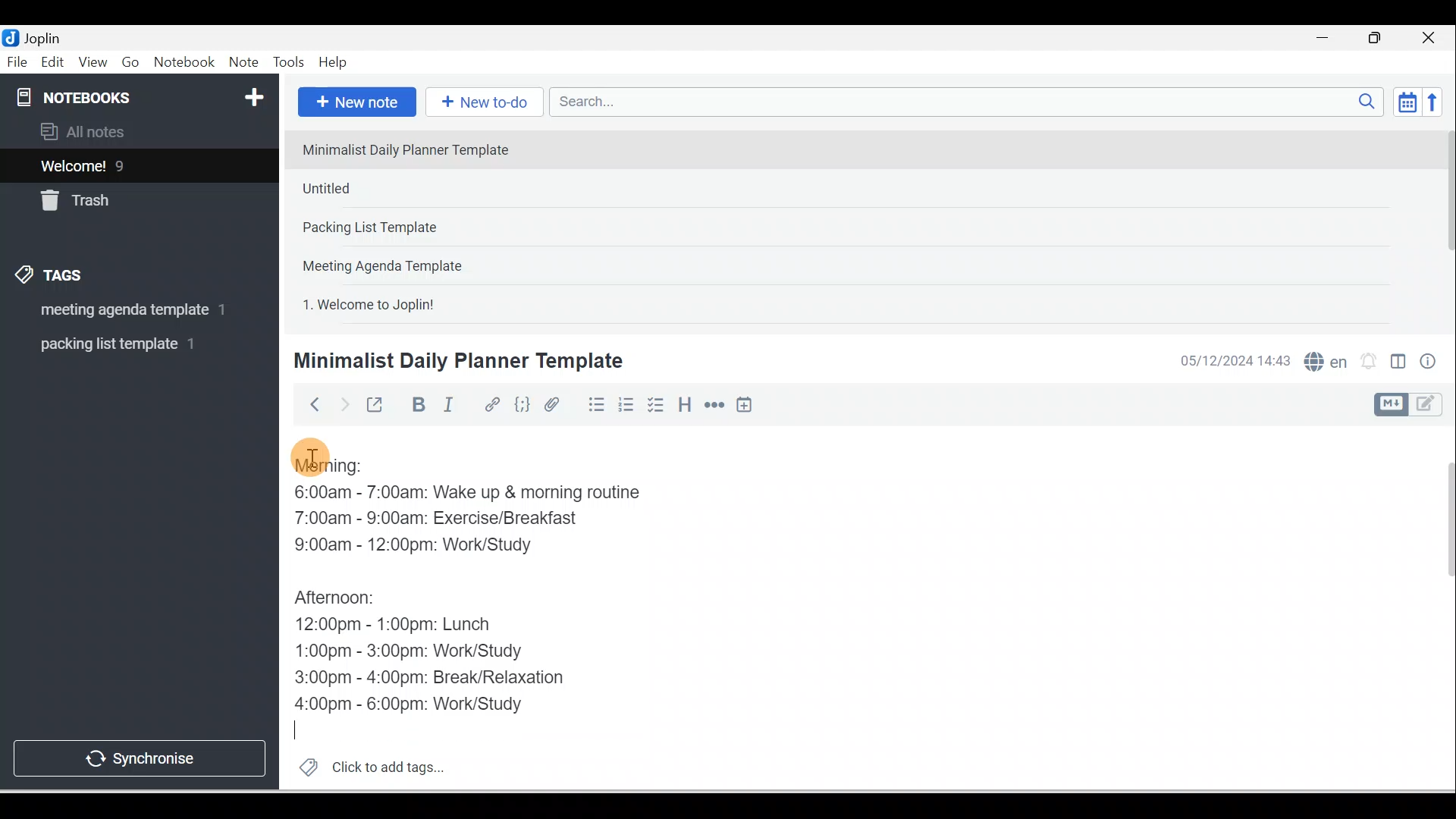  What do you see at coordinates (288, 62) in the screenshot?
I see `Tools` at bounding box center [288, 62].